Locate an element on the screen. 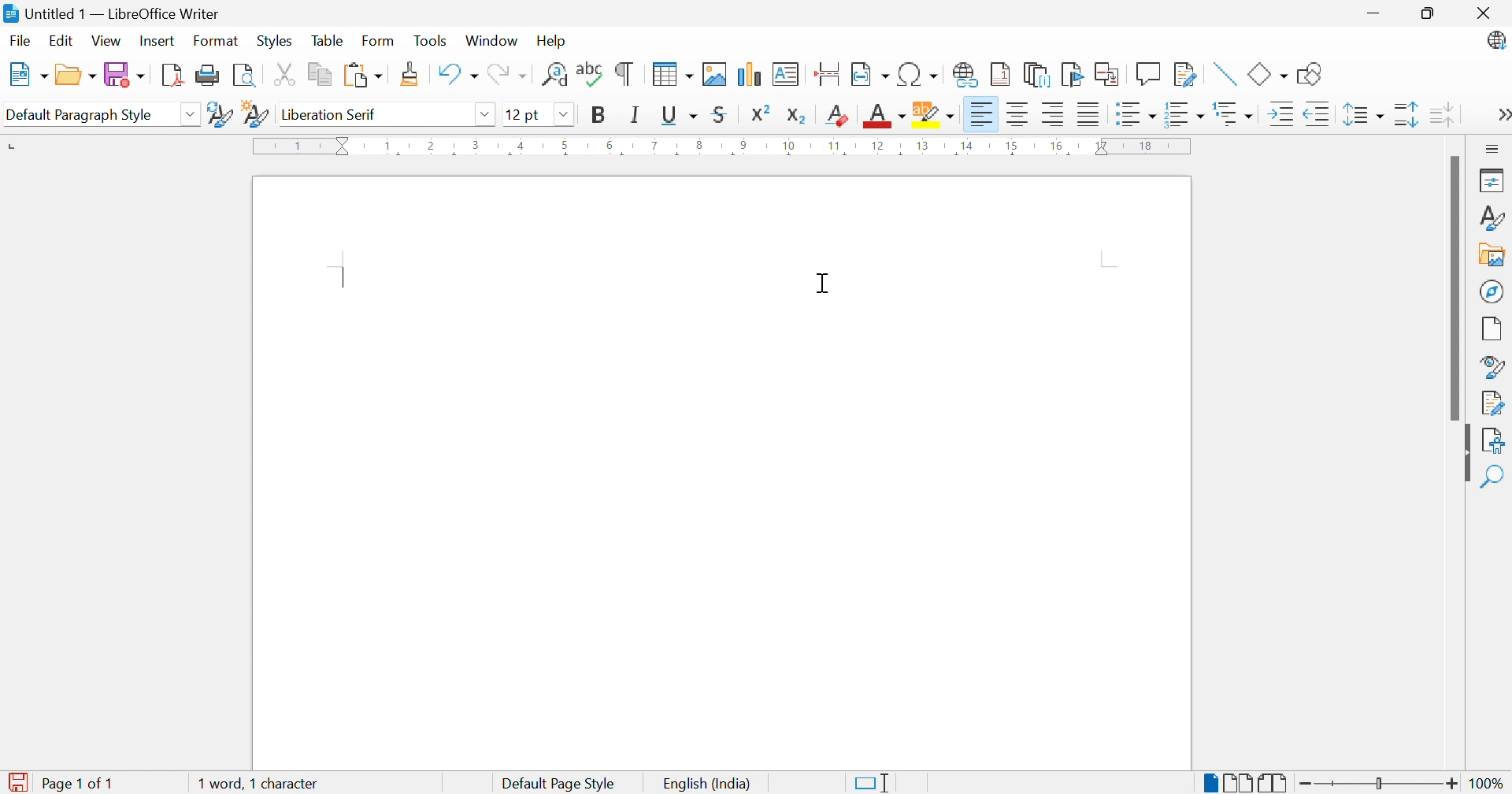  Zoom In is located at coordinates (1452, 782).